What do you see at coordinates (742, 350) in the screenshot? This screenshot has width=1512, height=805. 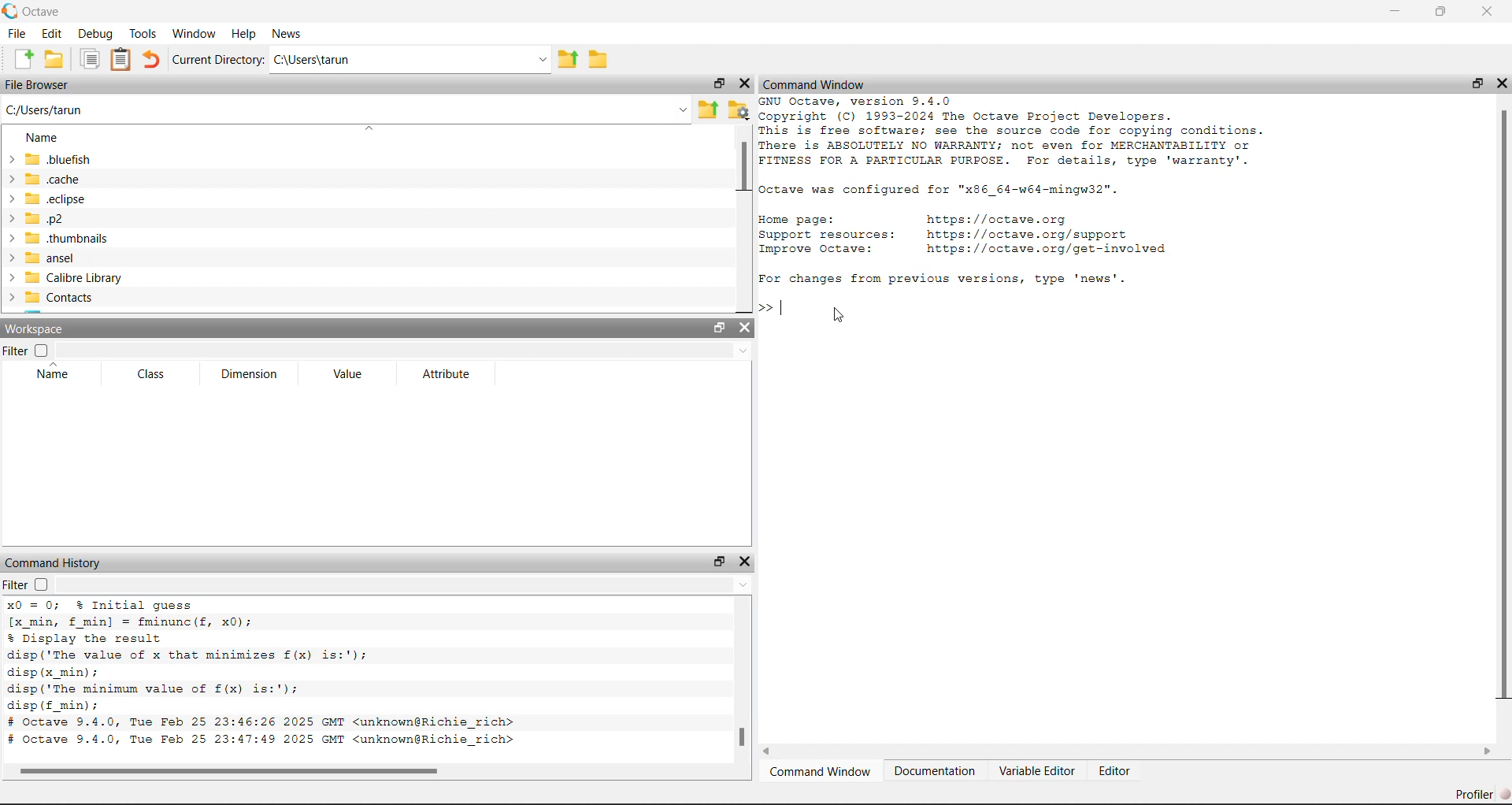 I see `Dropdown` at bounding box center [742, 350].